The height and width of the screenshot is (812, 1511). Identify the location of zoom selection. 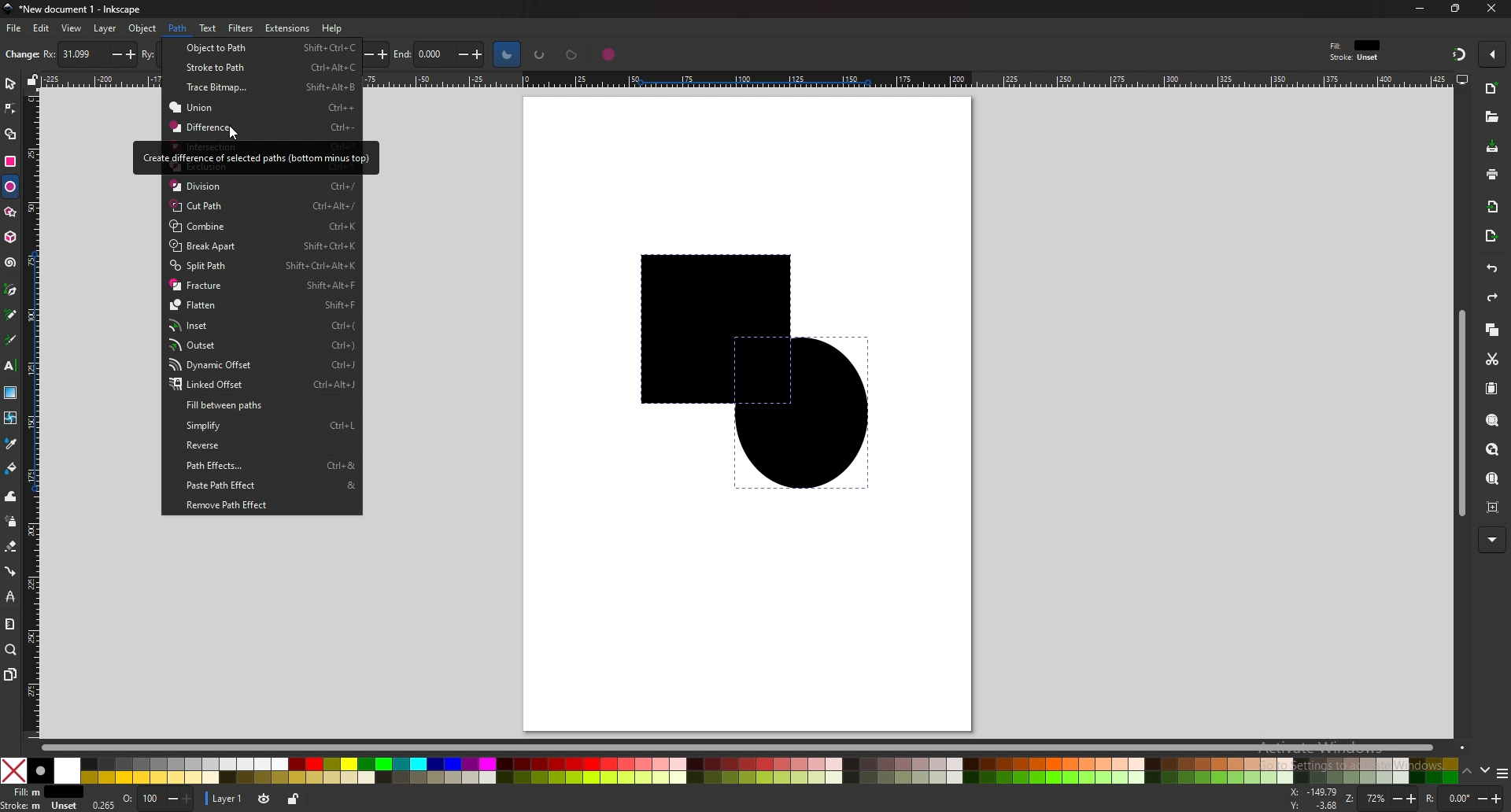
(1494, 420).